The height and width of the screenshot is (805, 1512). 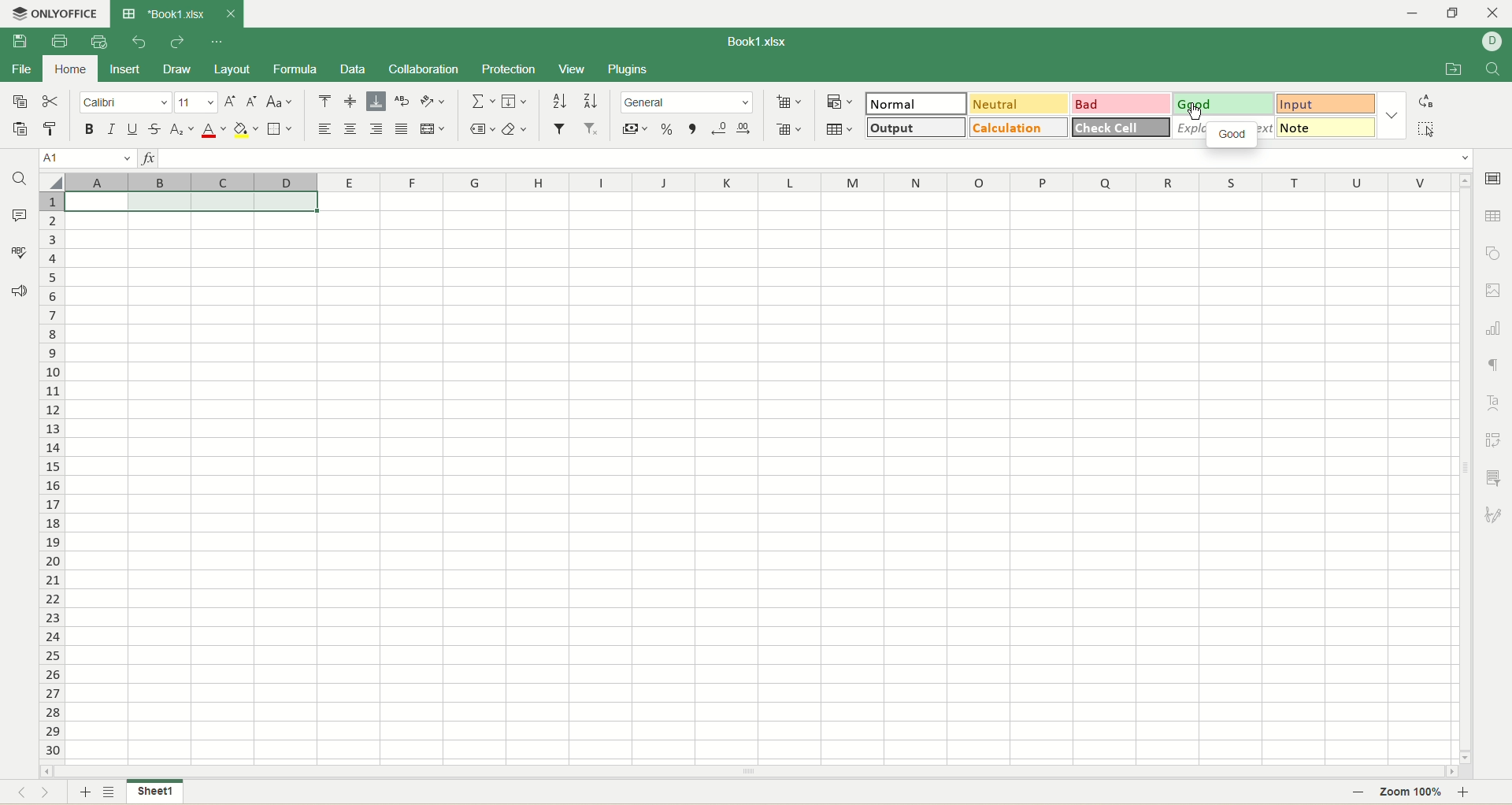 I want to click on redo, so click(x=176, y=41).